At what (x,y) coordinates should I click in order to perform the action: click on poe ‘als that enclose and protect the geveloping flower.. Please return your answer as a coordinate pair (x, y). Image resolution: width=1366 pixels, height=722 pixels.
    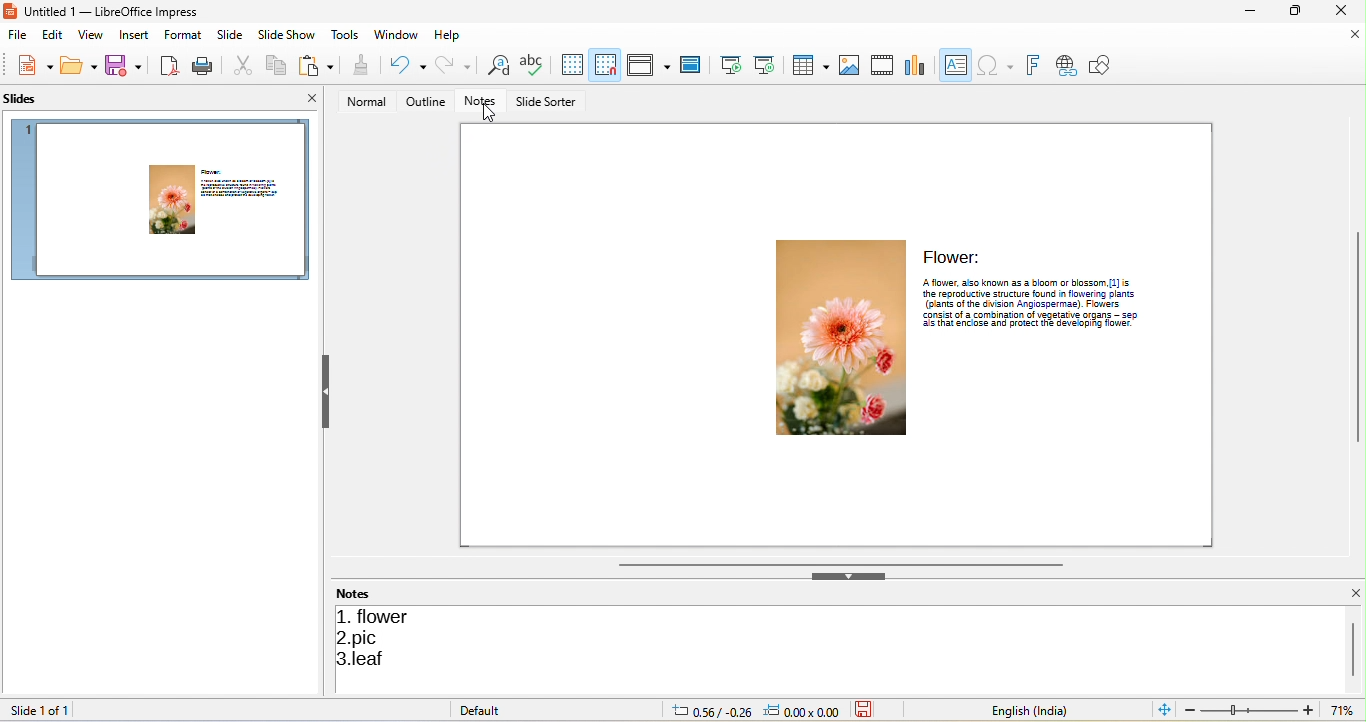
    Looking at the image, I should click on (1027, 325).